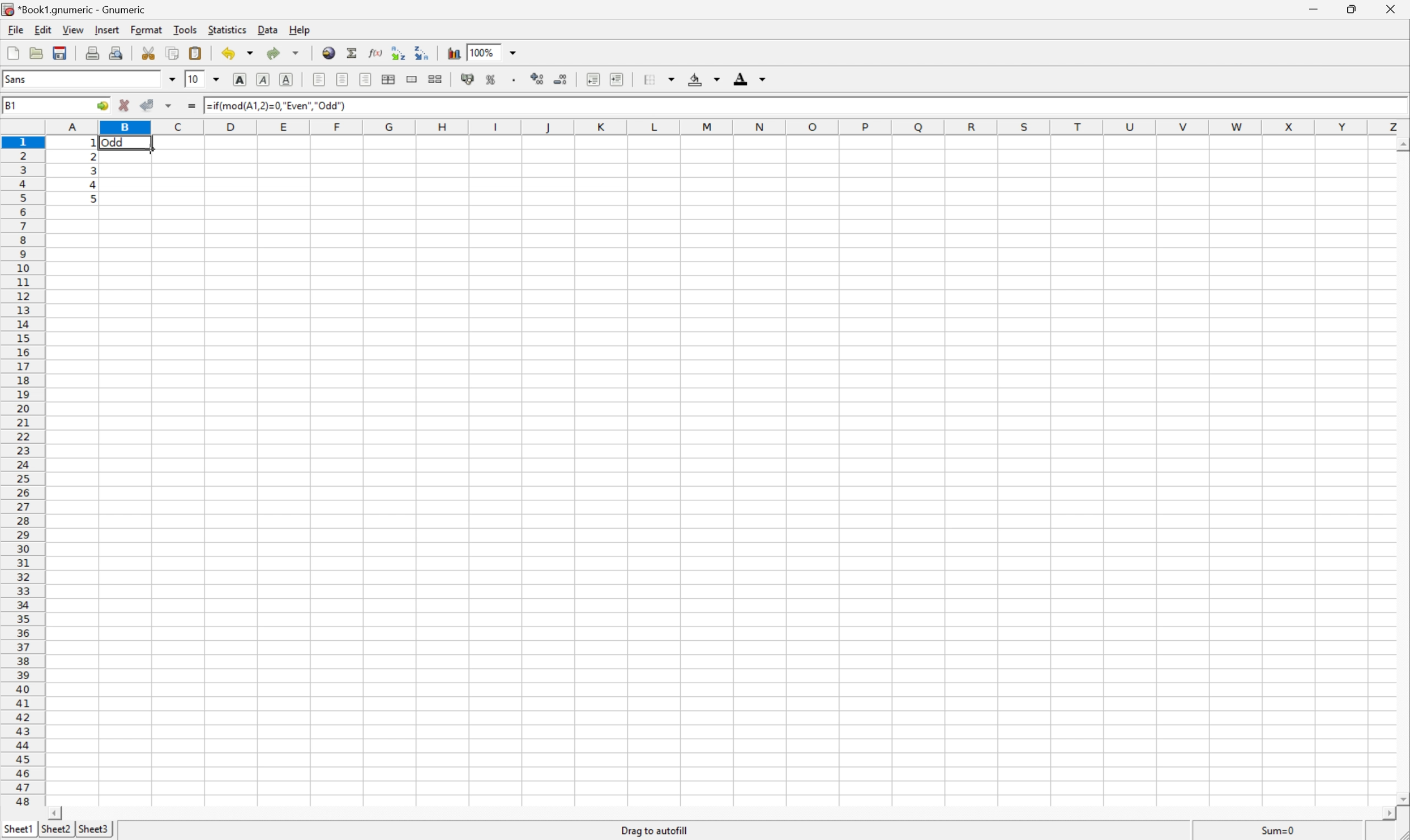  I want to click on Accept changes, so click(147, 106).